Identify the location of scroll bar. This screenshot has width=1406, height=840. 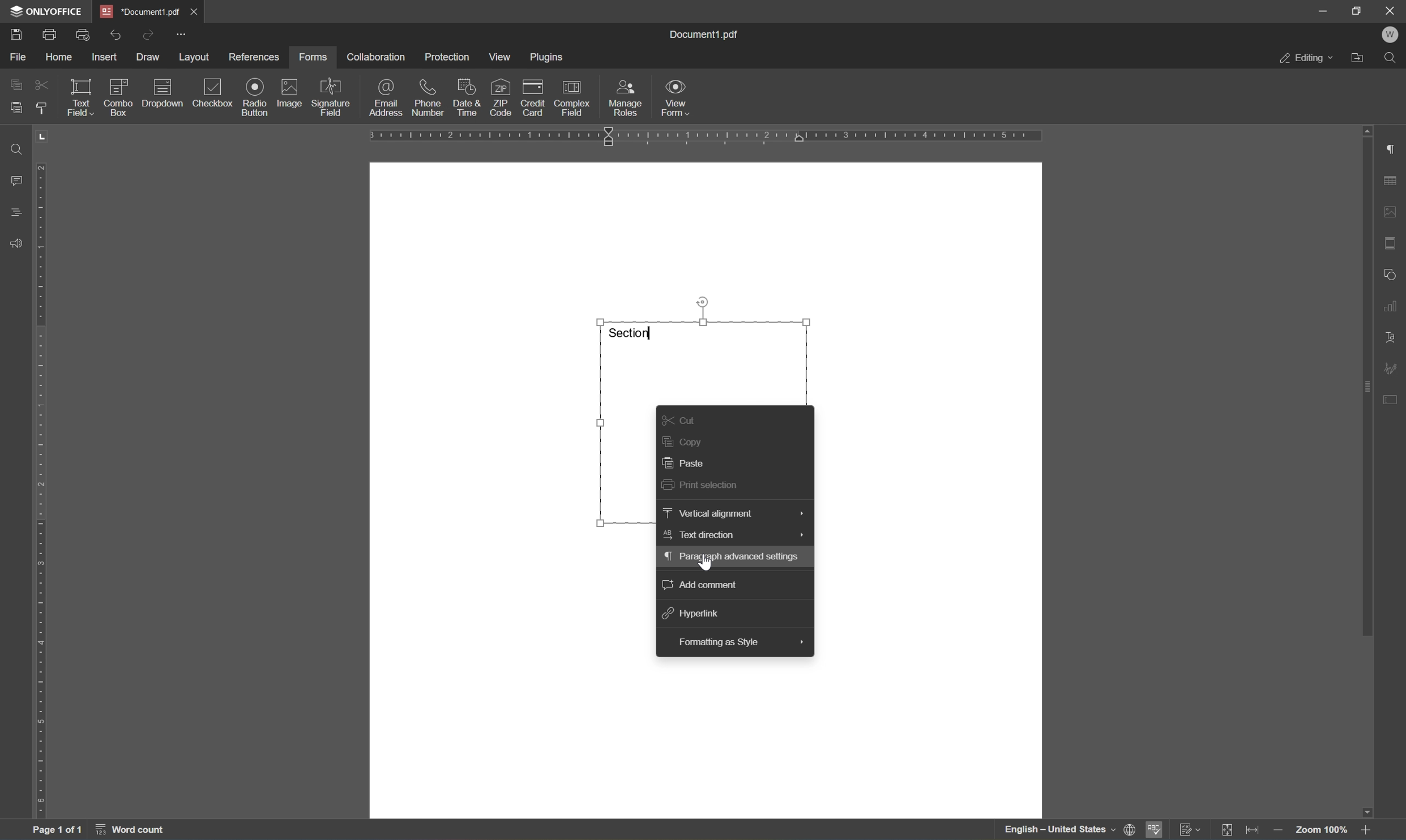
(1366, 381).